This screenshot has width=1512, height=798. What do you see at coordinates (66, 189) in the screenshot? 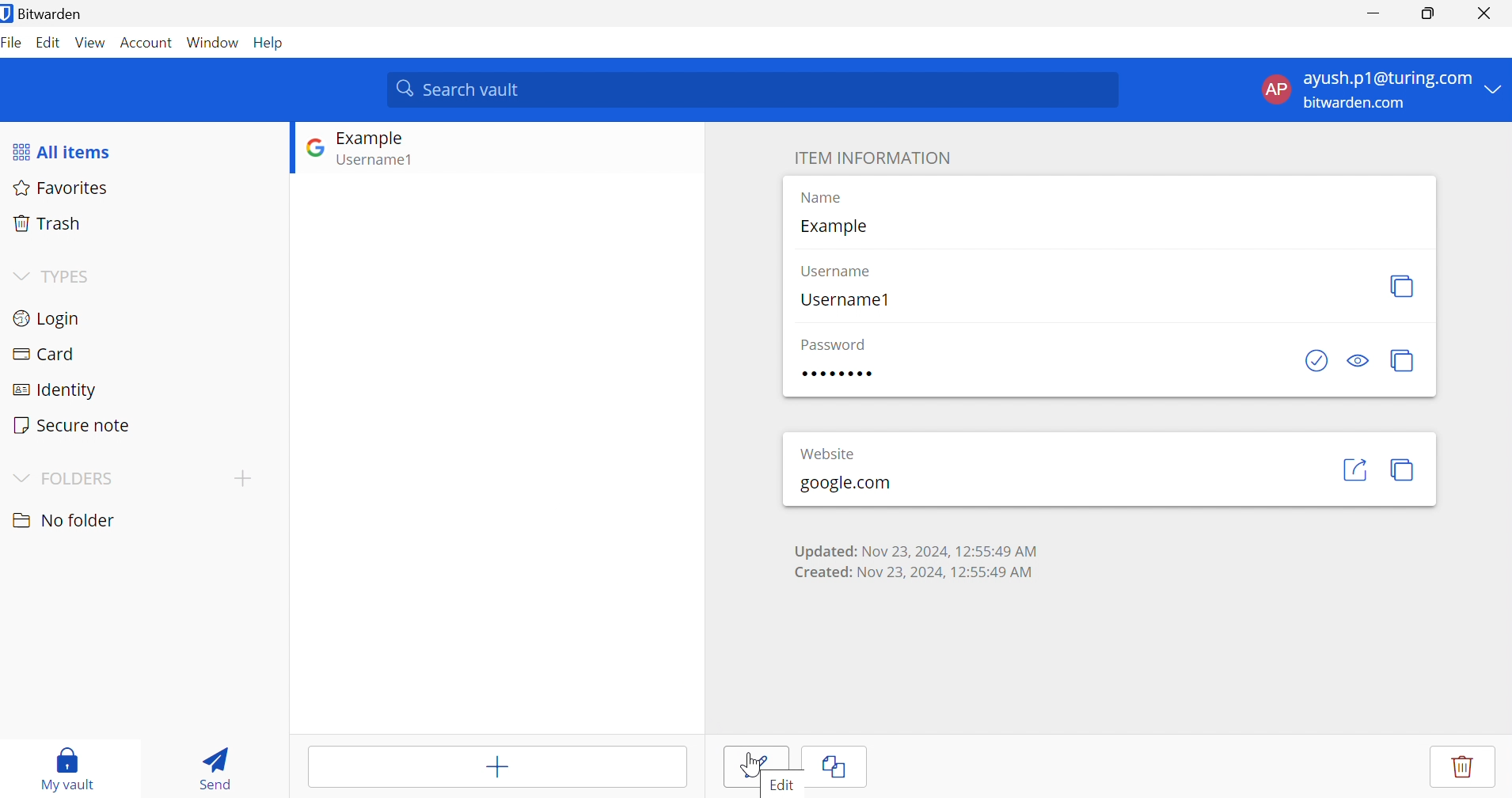
I see `Favorites` at bounding box center [66, 189].